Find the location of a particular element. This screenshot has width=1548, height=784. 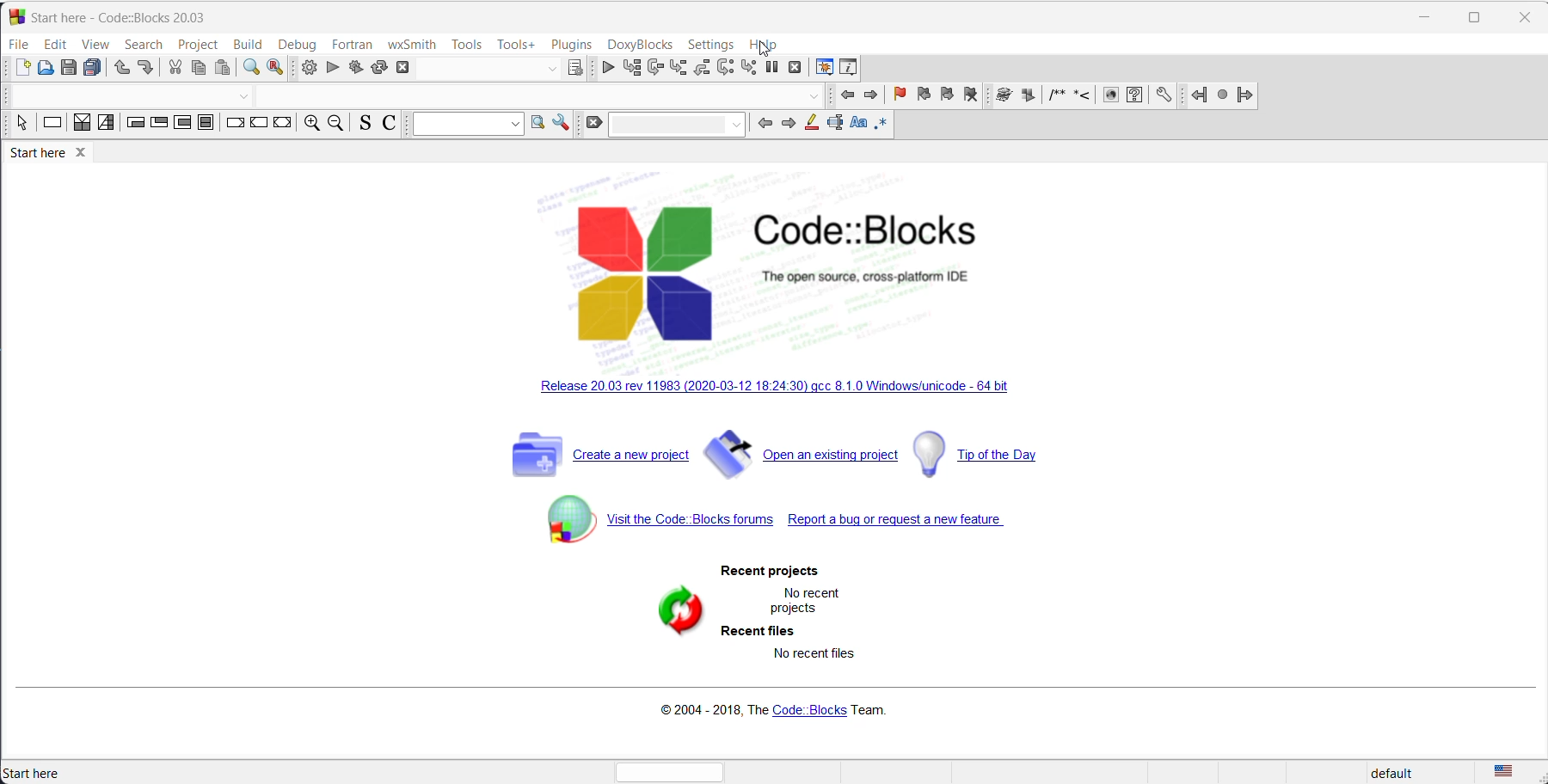

next bookmark is located at coordinates (947, 95).